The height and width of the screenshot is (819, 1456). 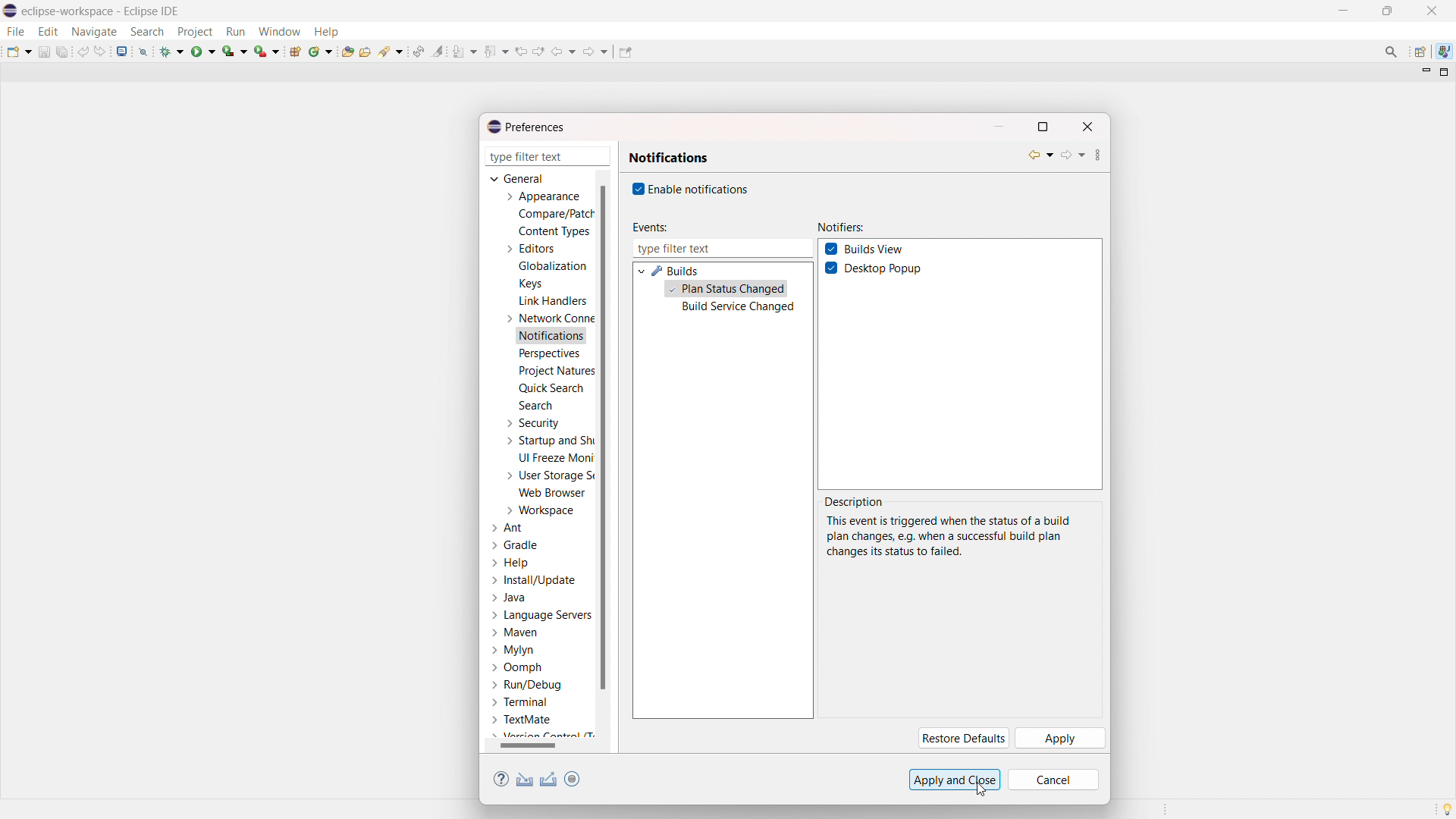 I want to click on notifications, so click(x=552, y=337).